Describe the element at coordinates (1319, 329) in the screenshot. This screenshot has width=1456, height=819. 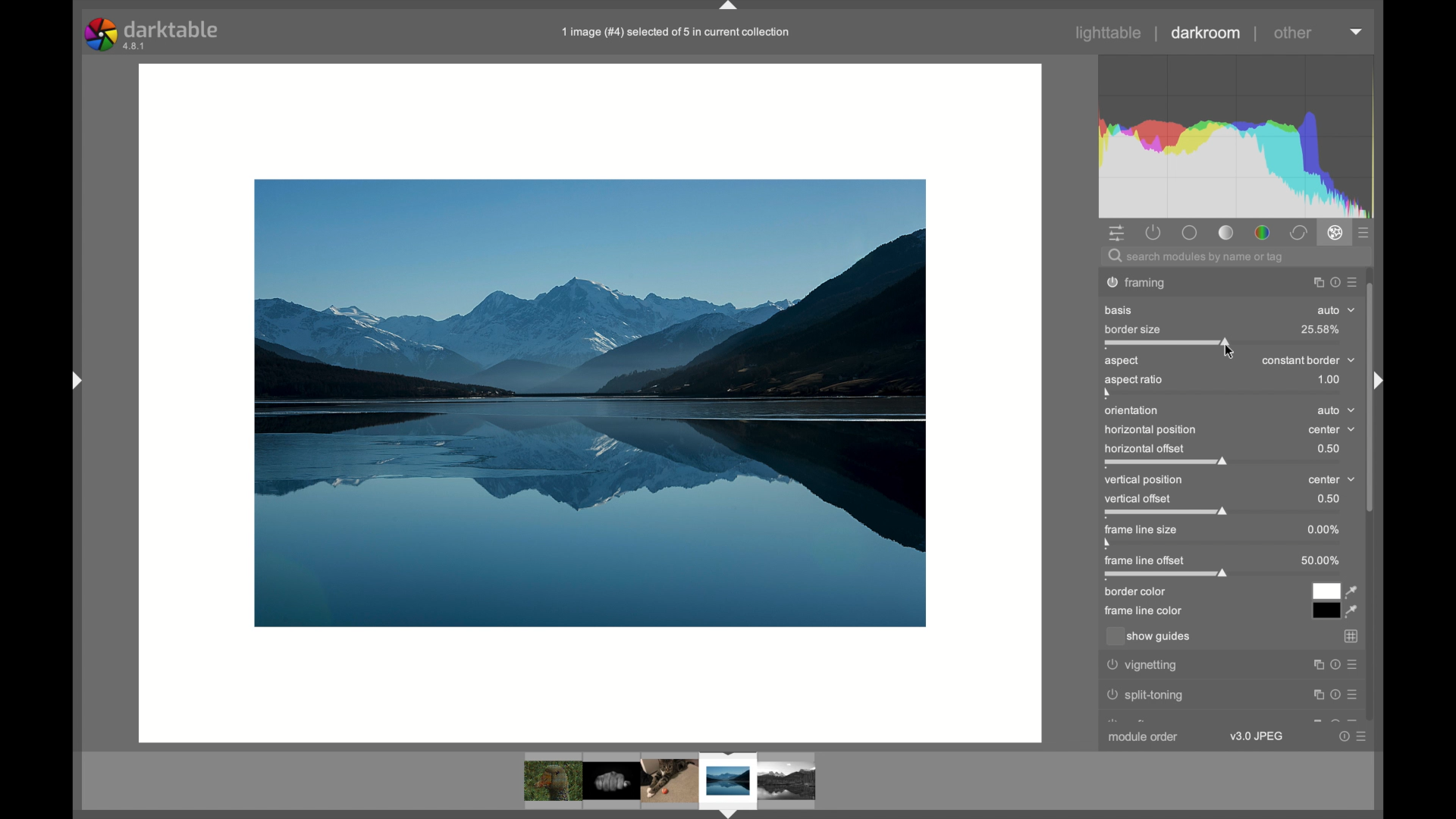
I see `25.58%` at that location.